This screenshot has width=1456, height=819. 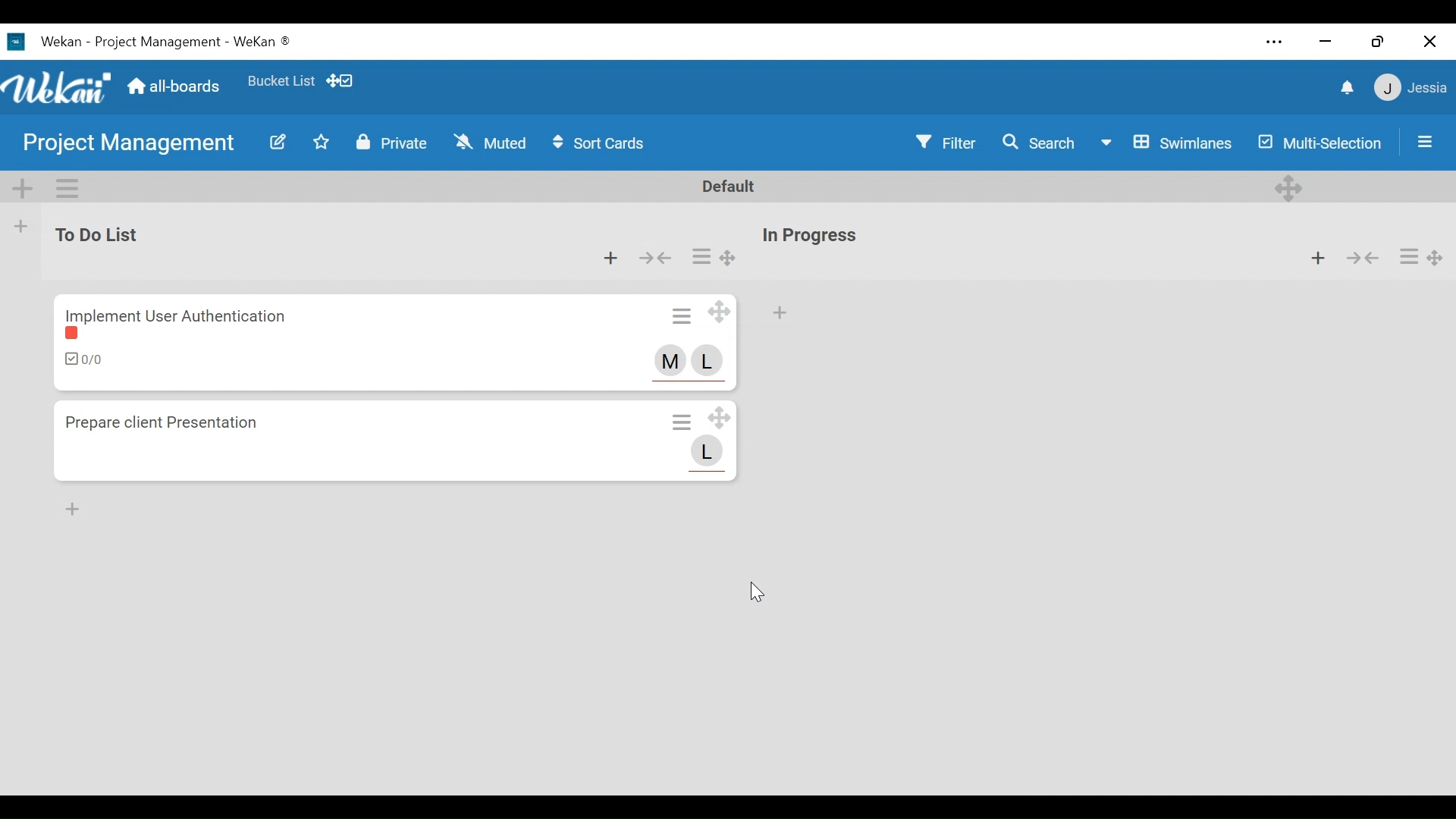 What do you see at coordinates (708, 450) in the screenshot?
I see `Member` at bounding box center [708, 450].